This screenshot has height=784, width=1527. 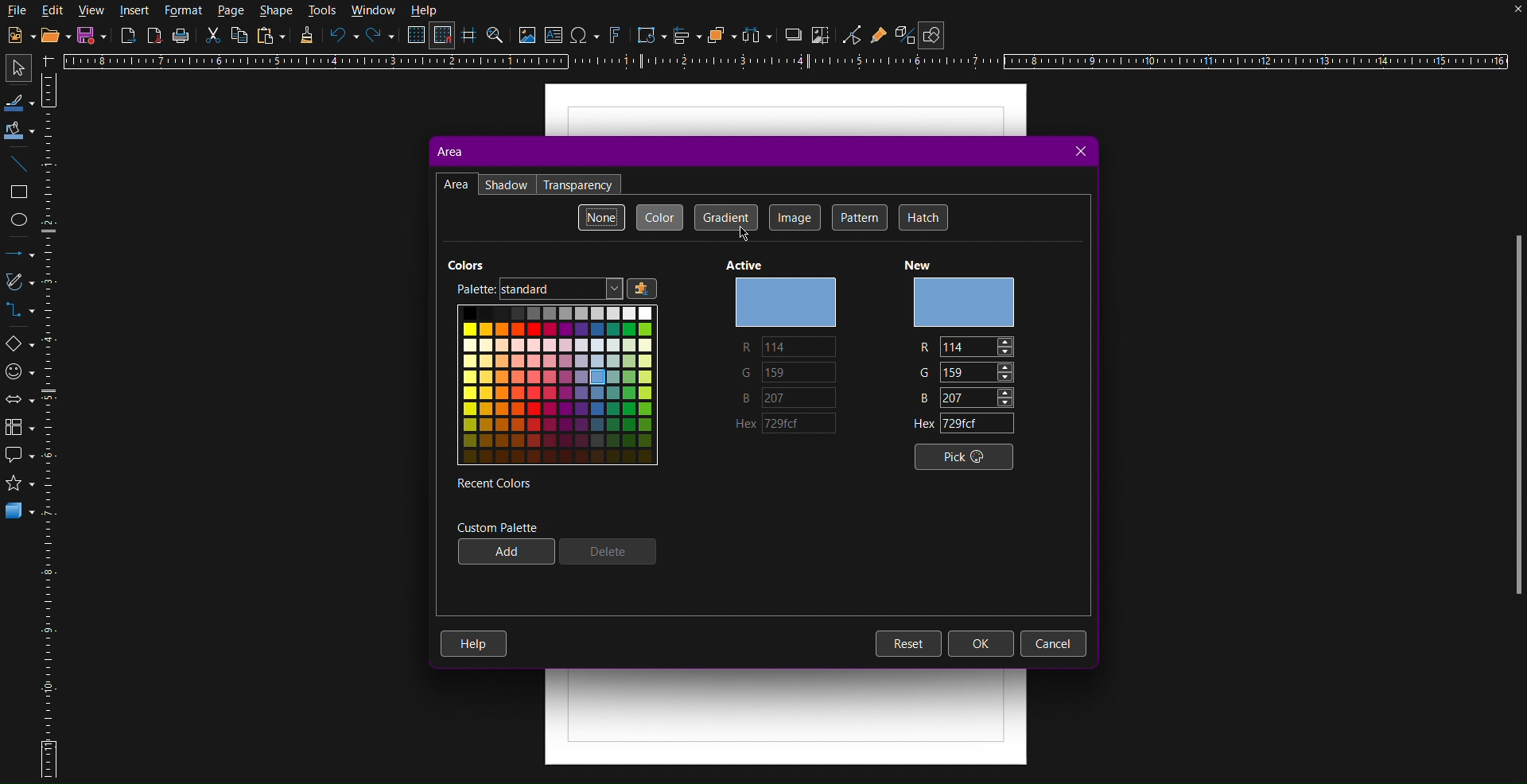 I want to click on Flowchart, so click(x=18, y=429).